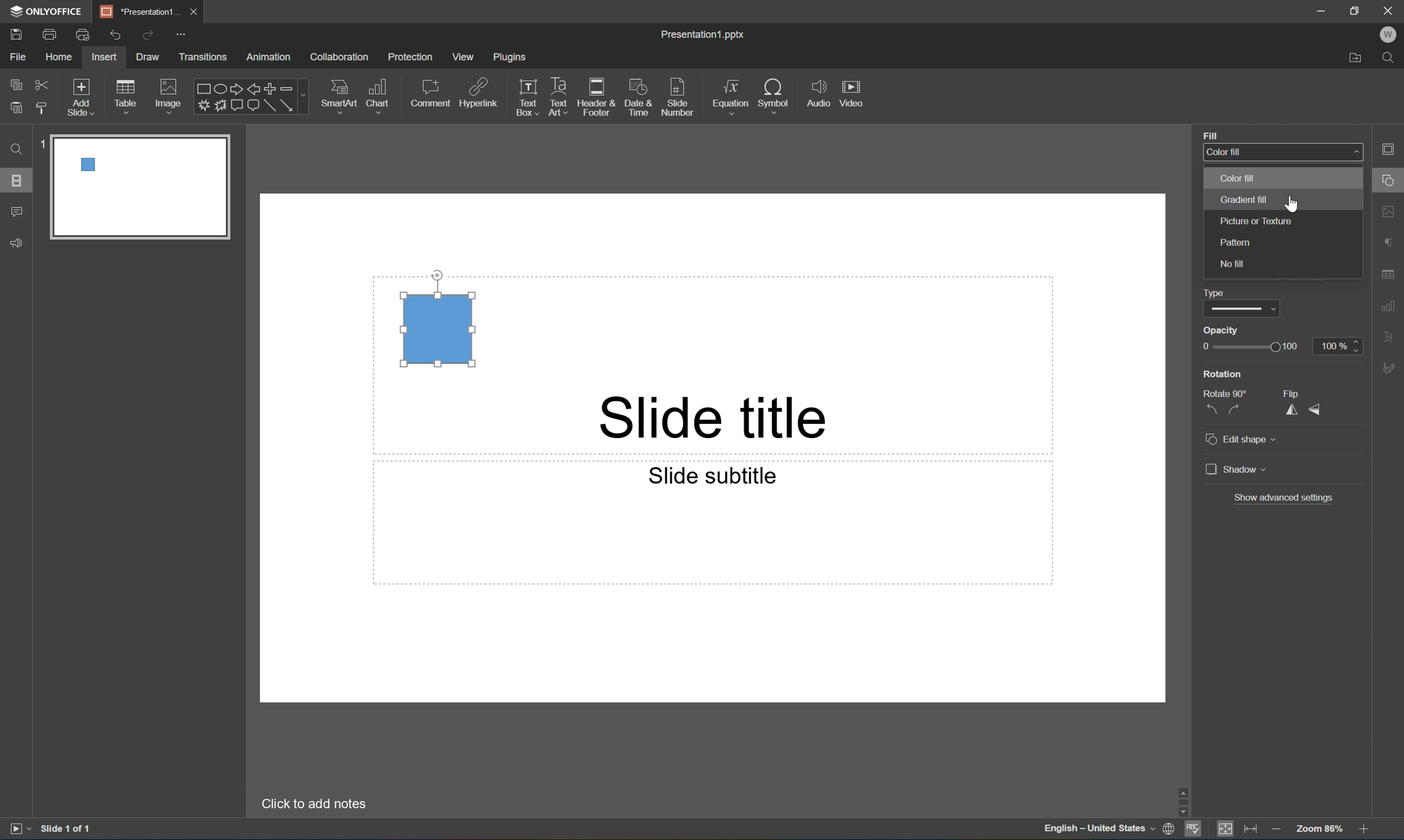 The width and height of the screenshot is (1404, 840). Describe the element at coordinates (1241, 310) in the screenshot. I see `Type` at that location.